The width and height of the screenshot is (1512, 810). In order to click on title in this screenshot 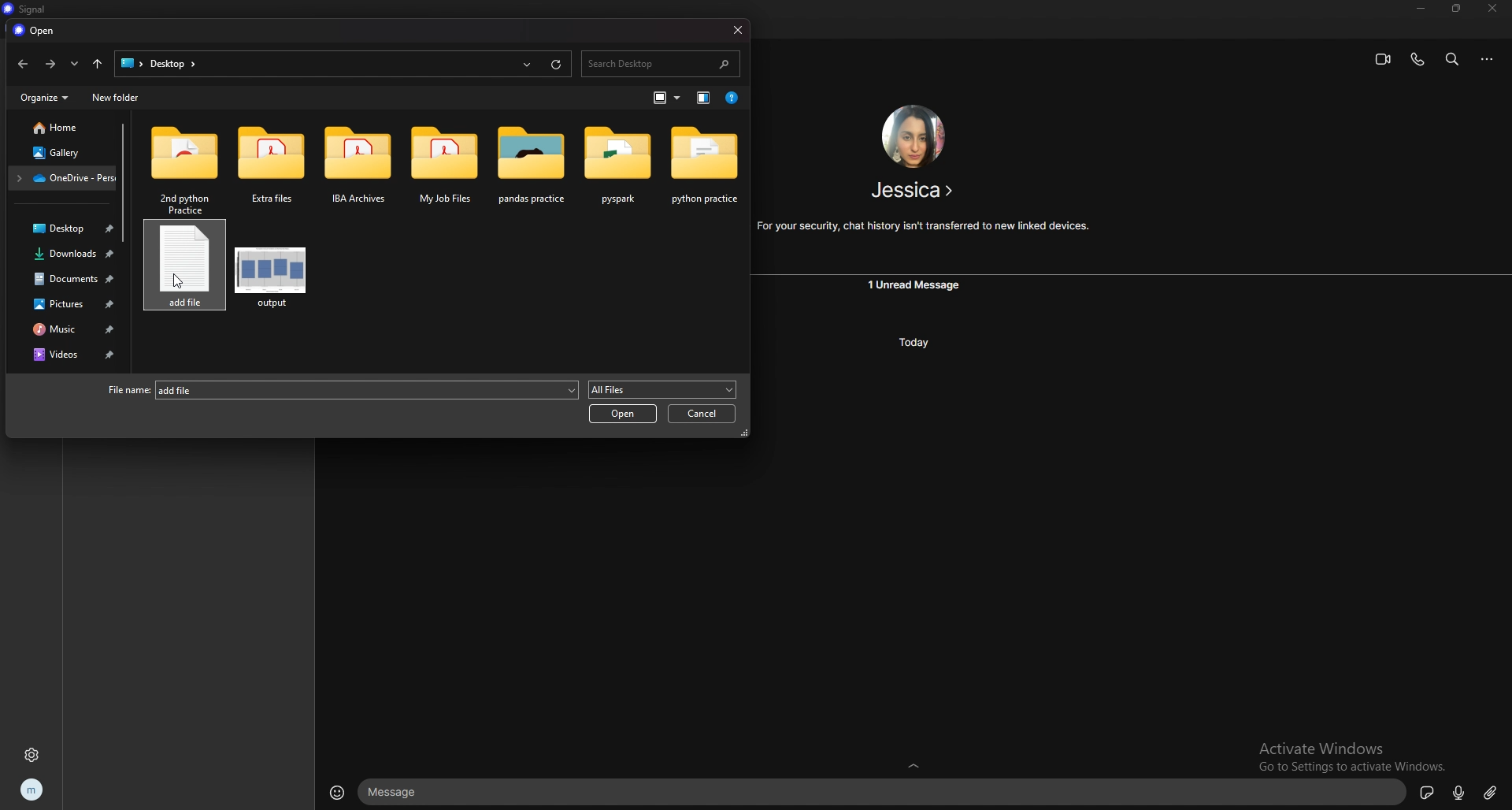, I will do `click(30, 10)`.